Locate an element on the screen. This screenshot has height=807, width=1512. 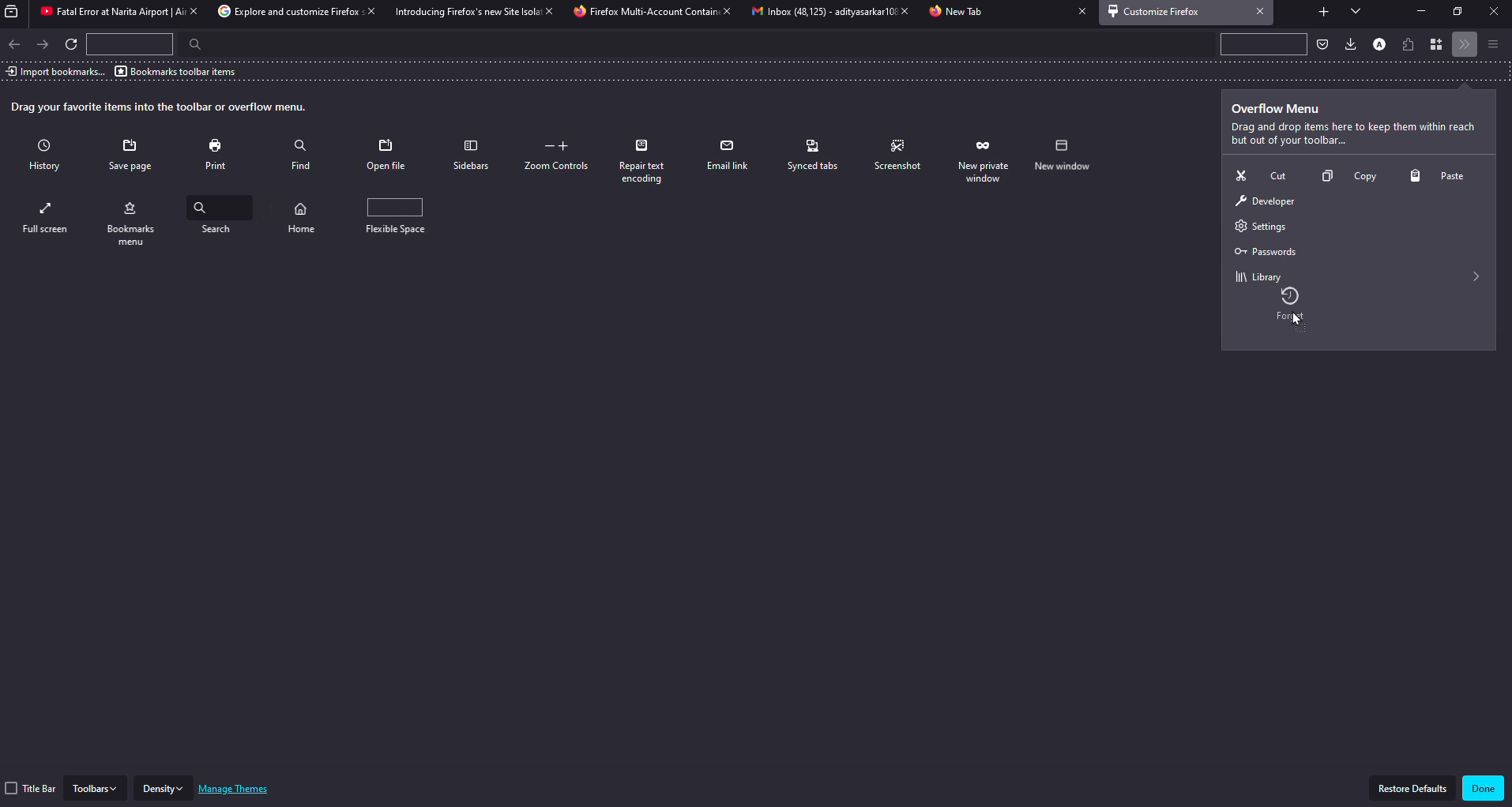
full screen is located at coordinates (135, 222).